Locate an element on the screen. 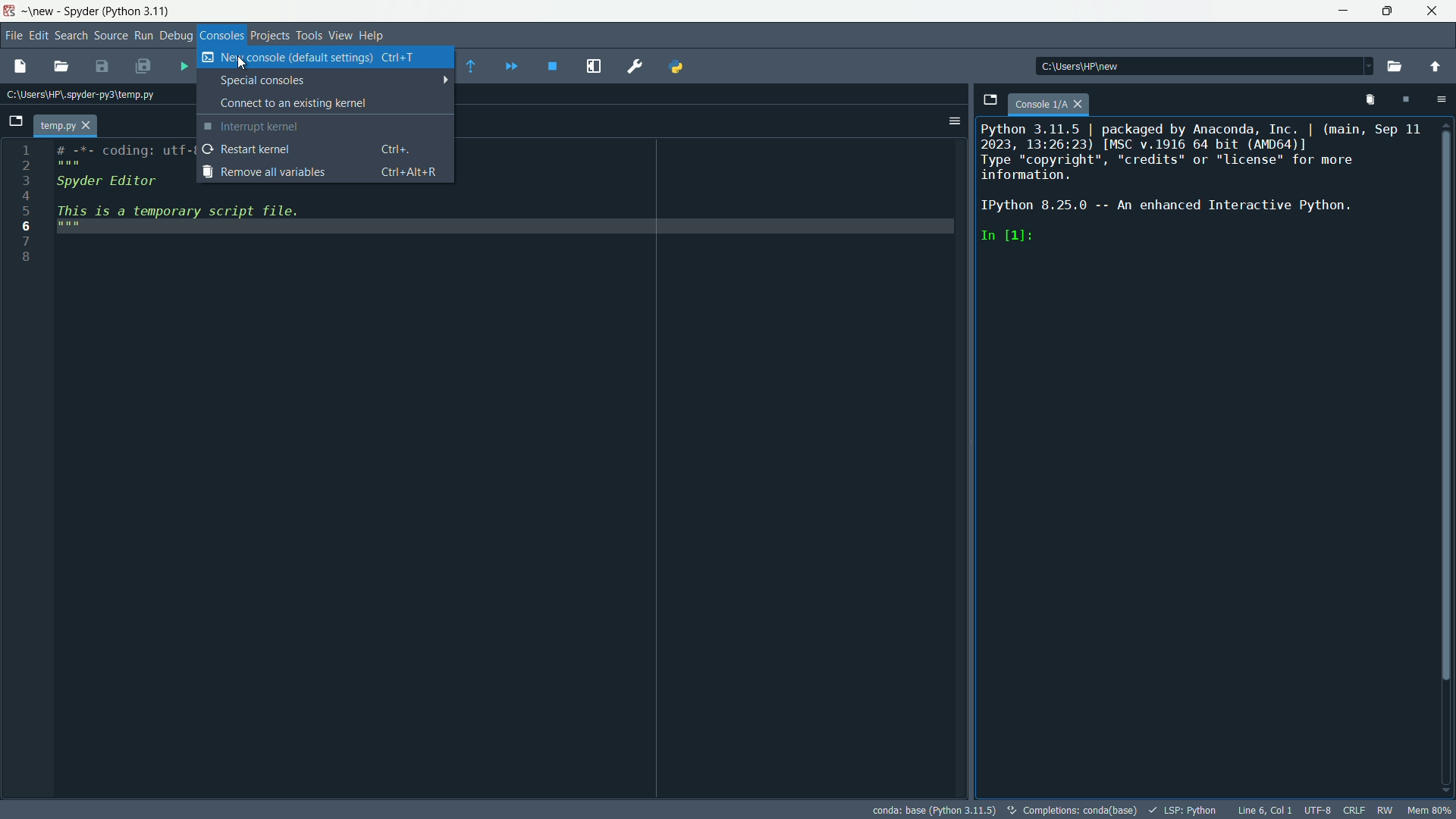 The width and height of the screenshot is (1456, 819). minimize is located at coordinates (1346, 12).